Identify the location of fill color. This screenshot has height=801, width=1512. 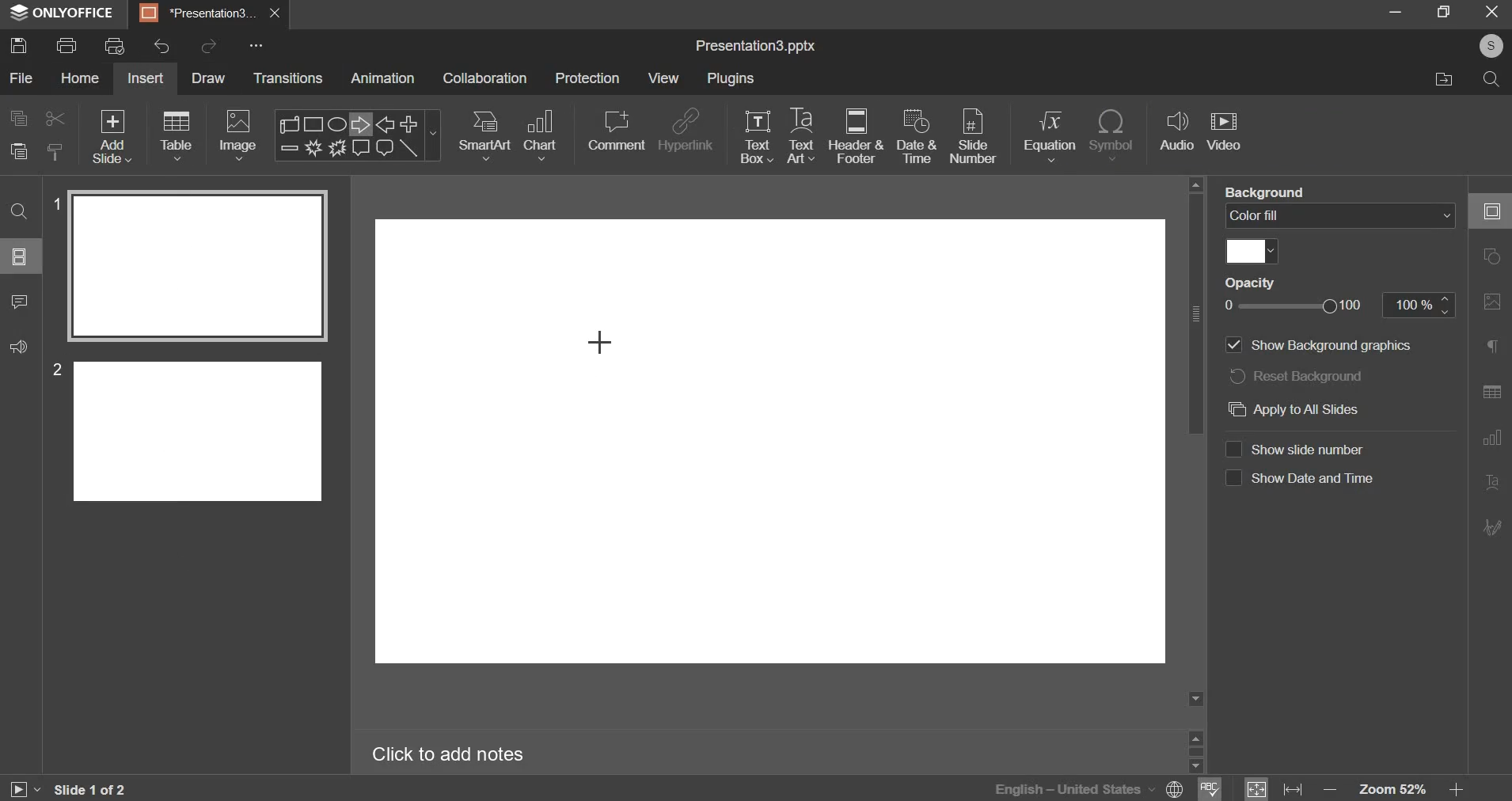
(1252, 252).